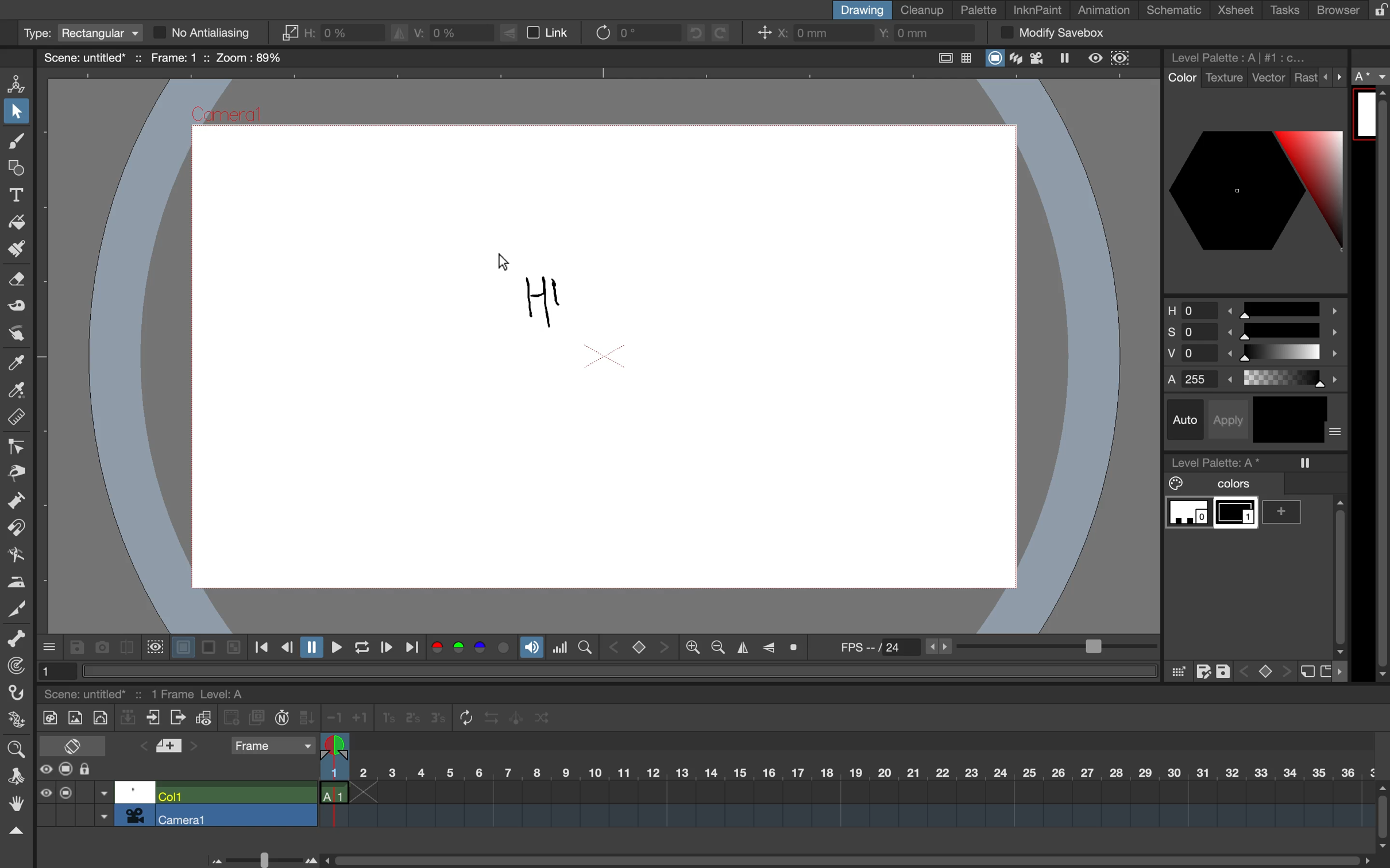 This screenshot has height=868, width=1390. I want to click on fill tool, so click(17, 219).